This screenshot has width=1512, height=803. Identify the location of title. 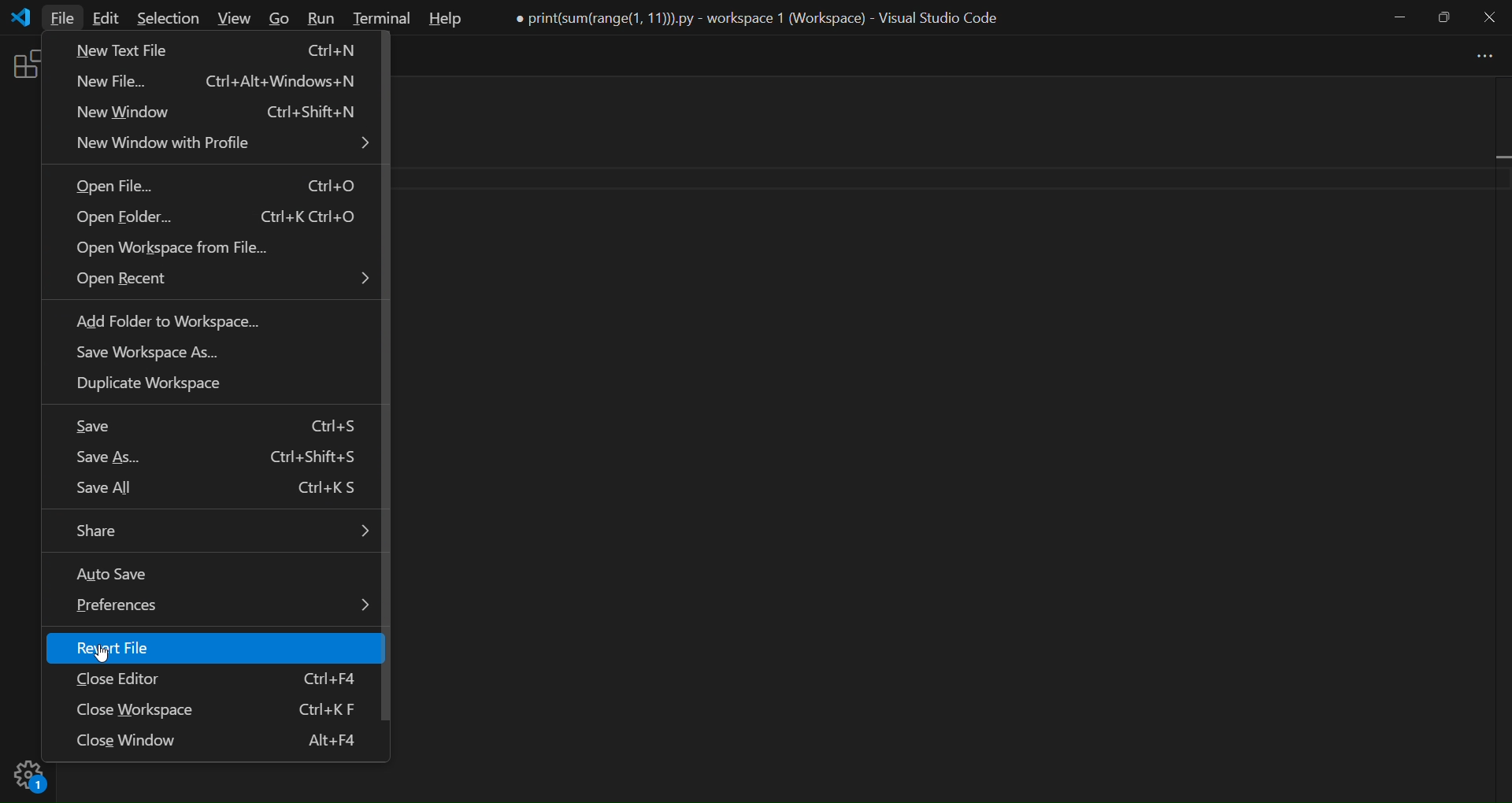
(760, 18).